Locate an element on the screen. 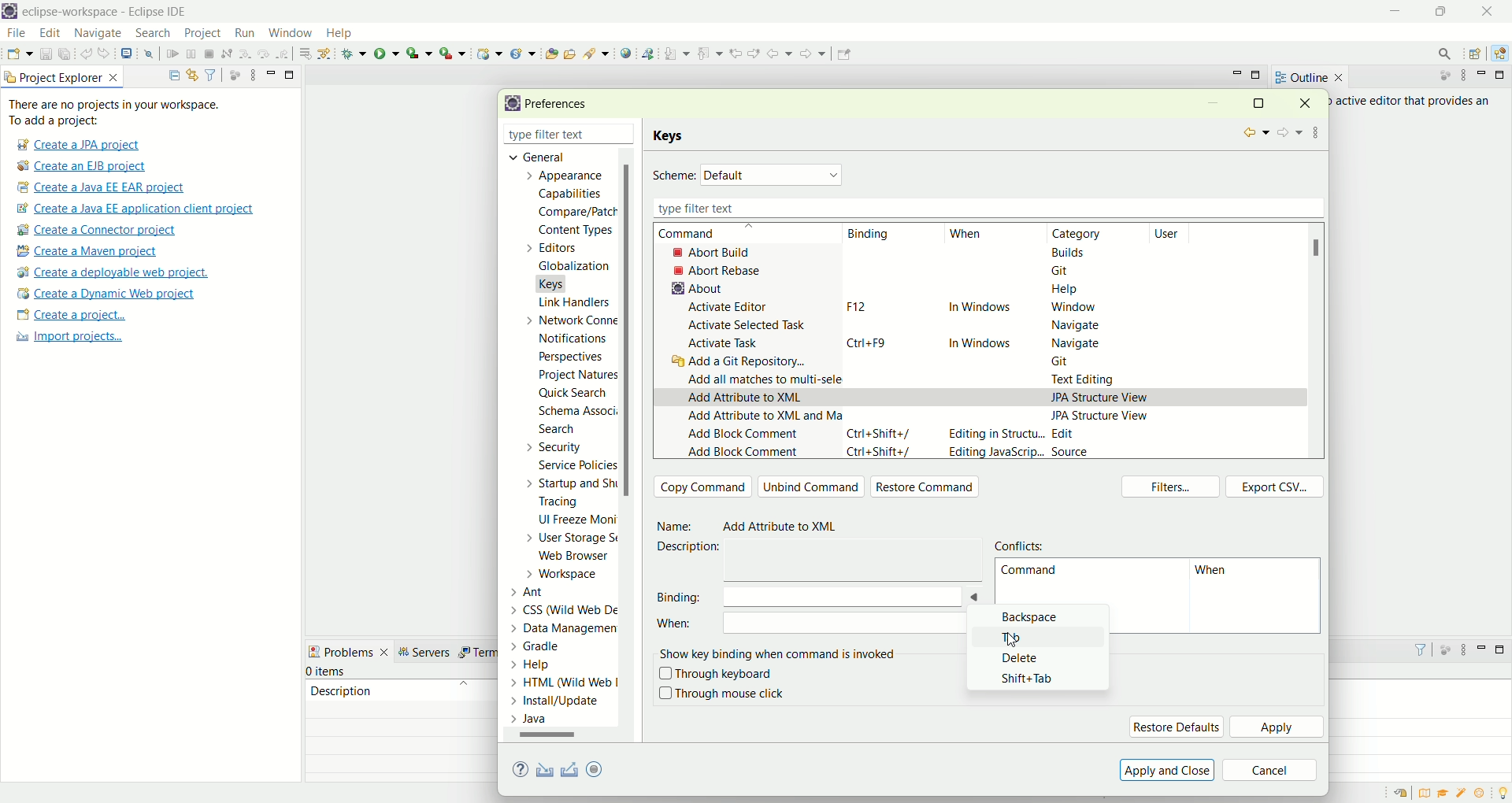 This screenshot has height=803, width=1512. activate task is located at coordinates (724, 344).